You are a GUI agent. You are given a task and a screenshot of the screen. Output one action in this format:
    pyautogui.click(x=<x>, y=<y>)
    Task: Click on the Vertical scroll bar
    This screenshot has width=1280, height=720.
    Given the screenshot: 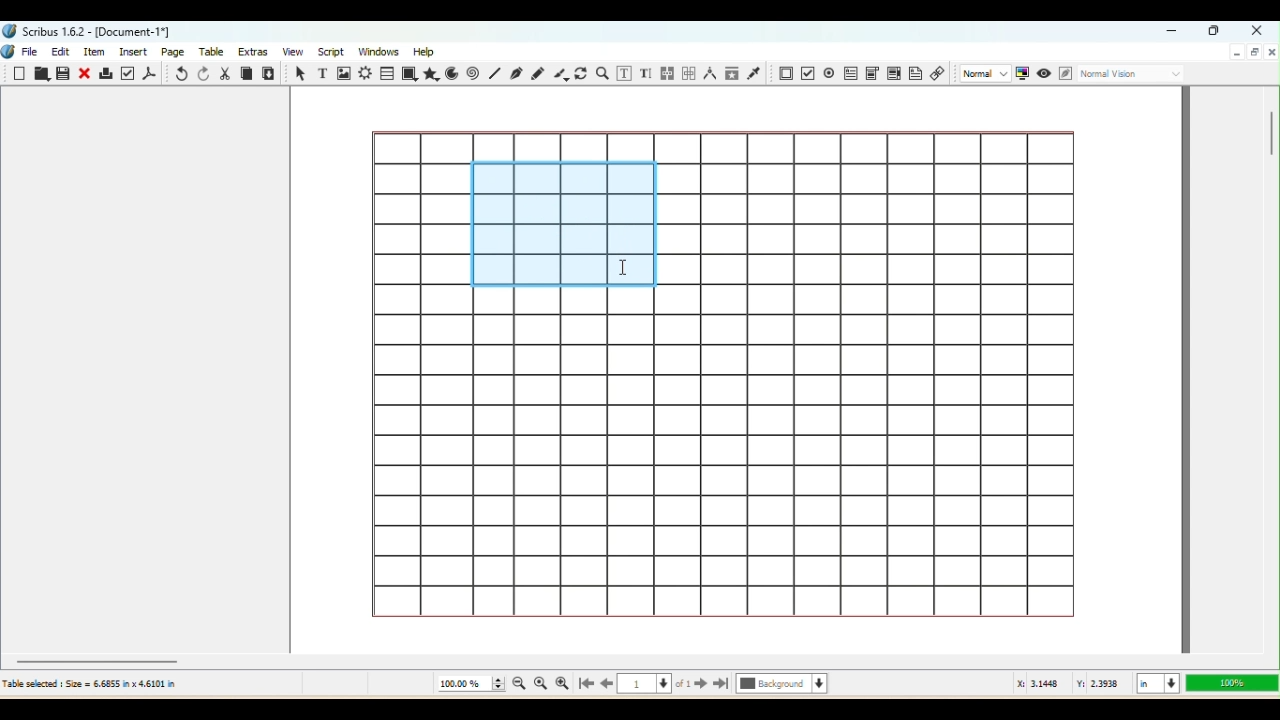 What is the action you would take?
    pyautogui.click(x=1271, y=368)
    